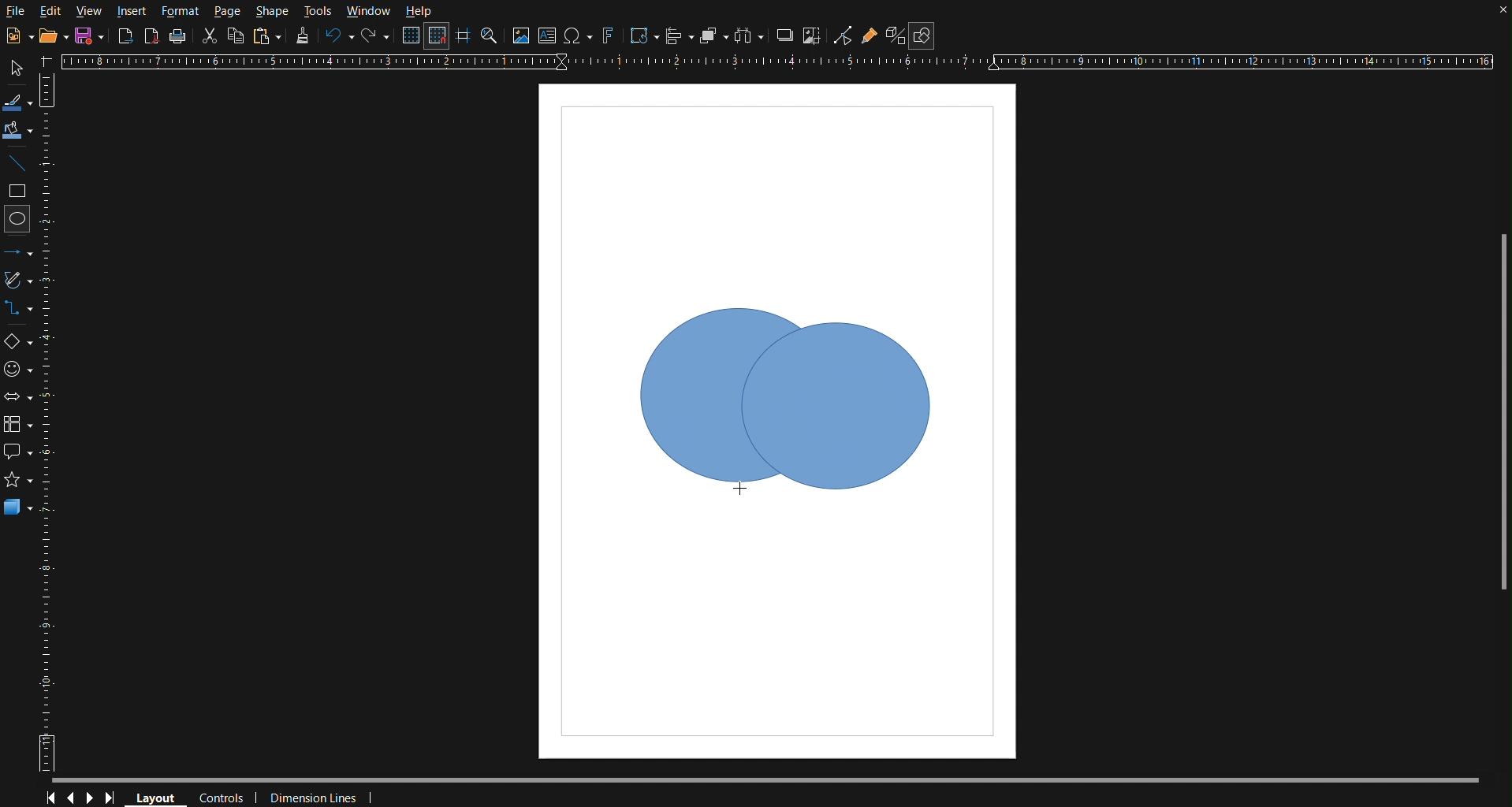 This screenshot has width=1512, height=807. Describe the element at coordinates (180, 35) in the screenshot. I see `Print` at that location.